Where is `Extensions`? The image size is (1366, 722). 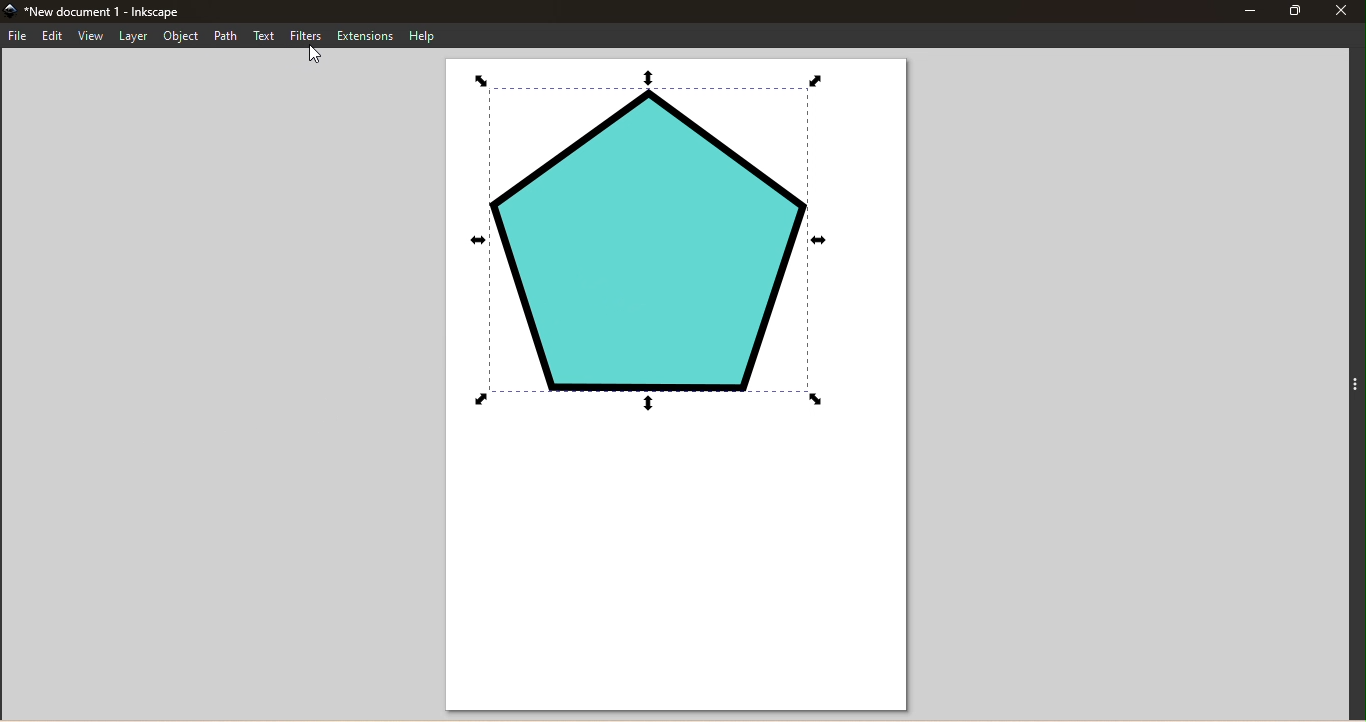 Extensions is located at coordinates (366, 35).